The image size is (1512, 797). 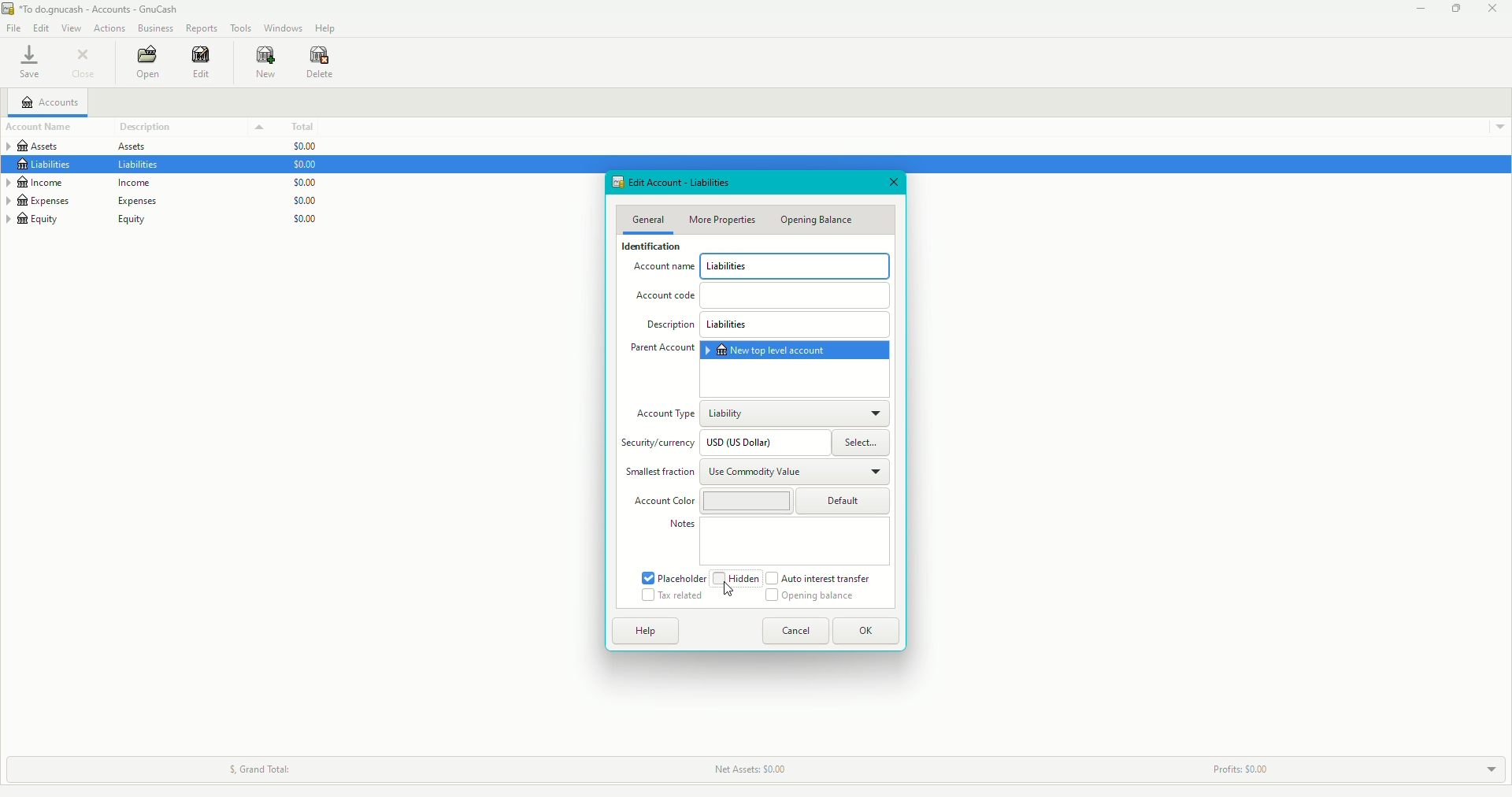 I want to click on Auto interest transfer, so click(x=817, y=578).